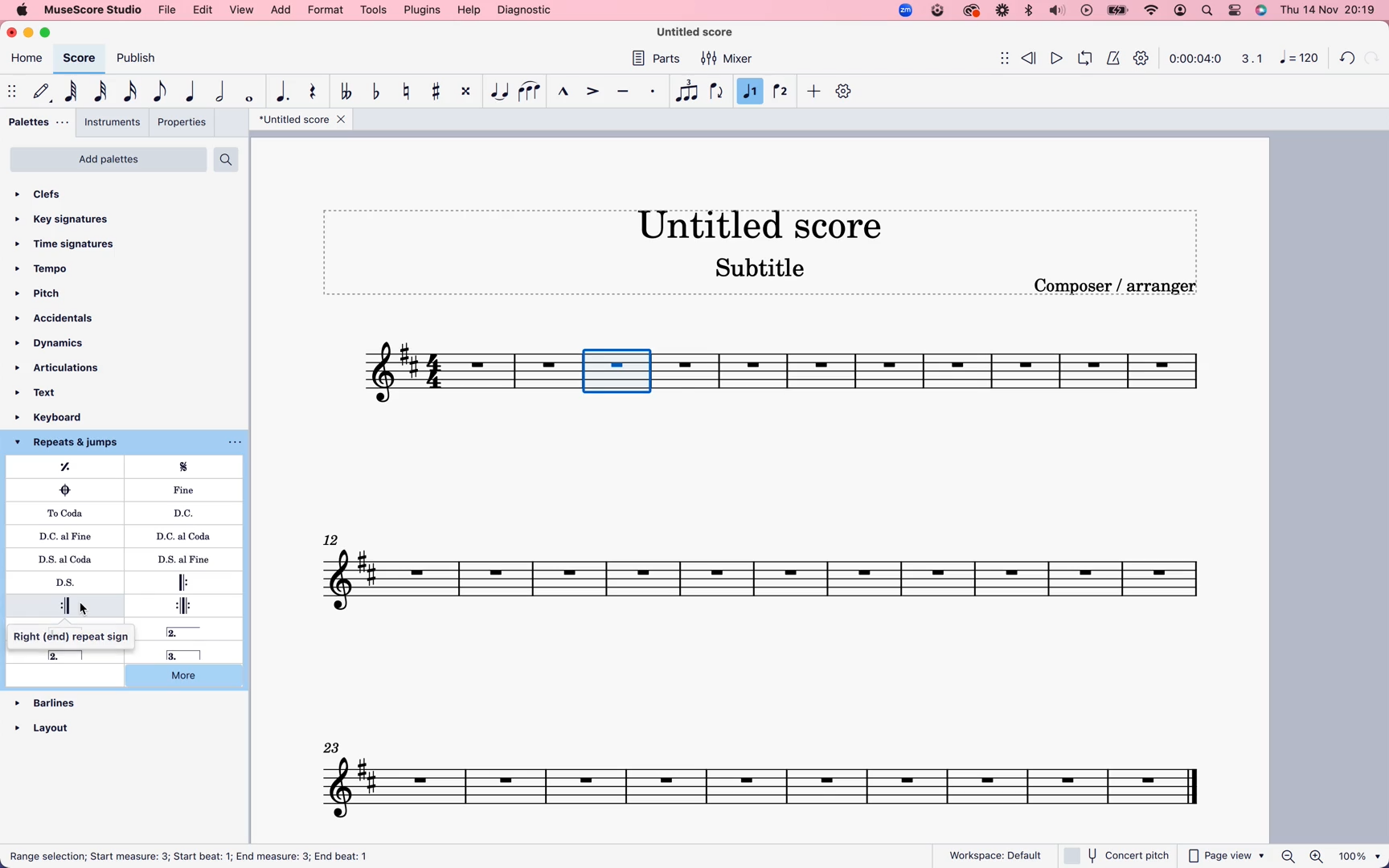 The image size is (1389, 868). Describe the element at coordinates (71, 220) in the screenshot. I see `key signatures` at that location.